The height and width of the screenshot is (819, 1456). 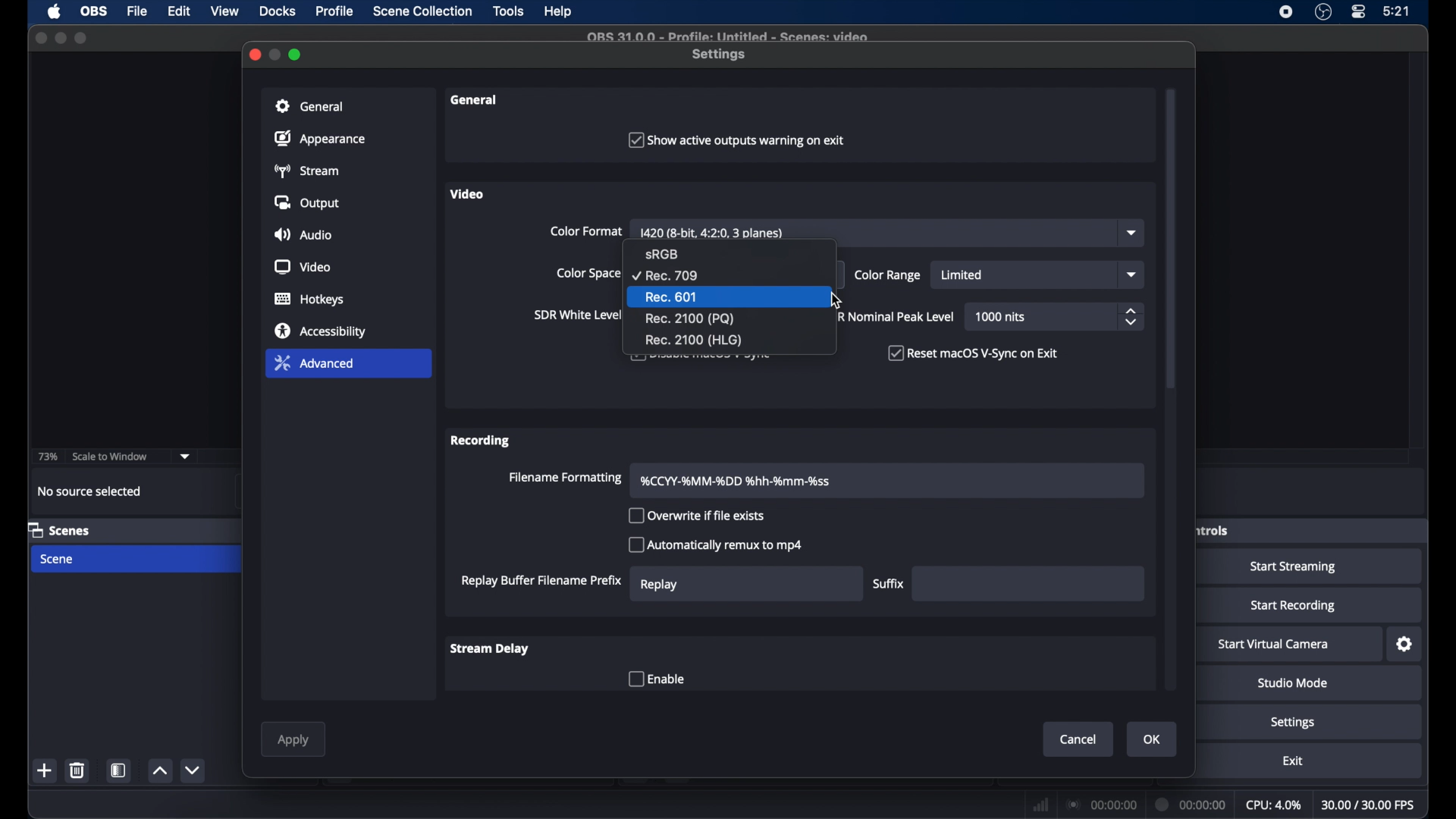 What do you see at coordinates (711, 233) in the screenshot?
I see `color format` at bounding box center [711, 233].